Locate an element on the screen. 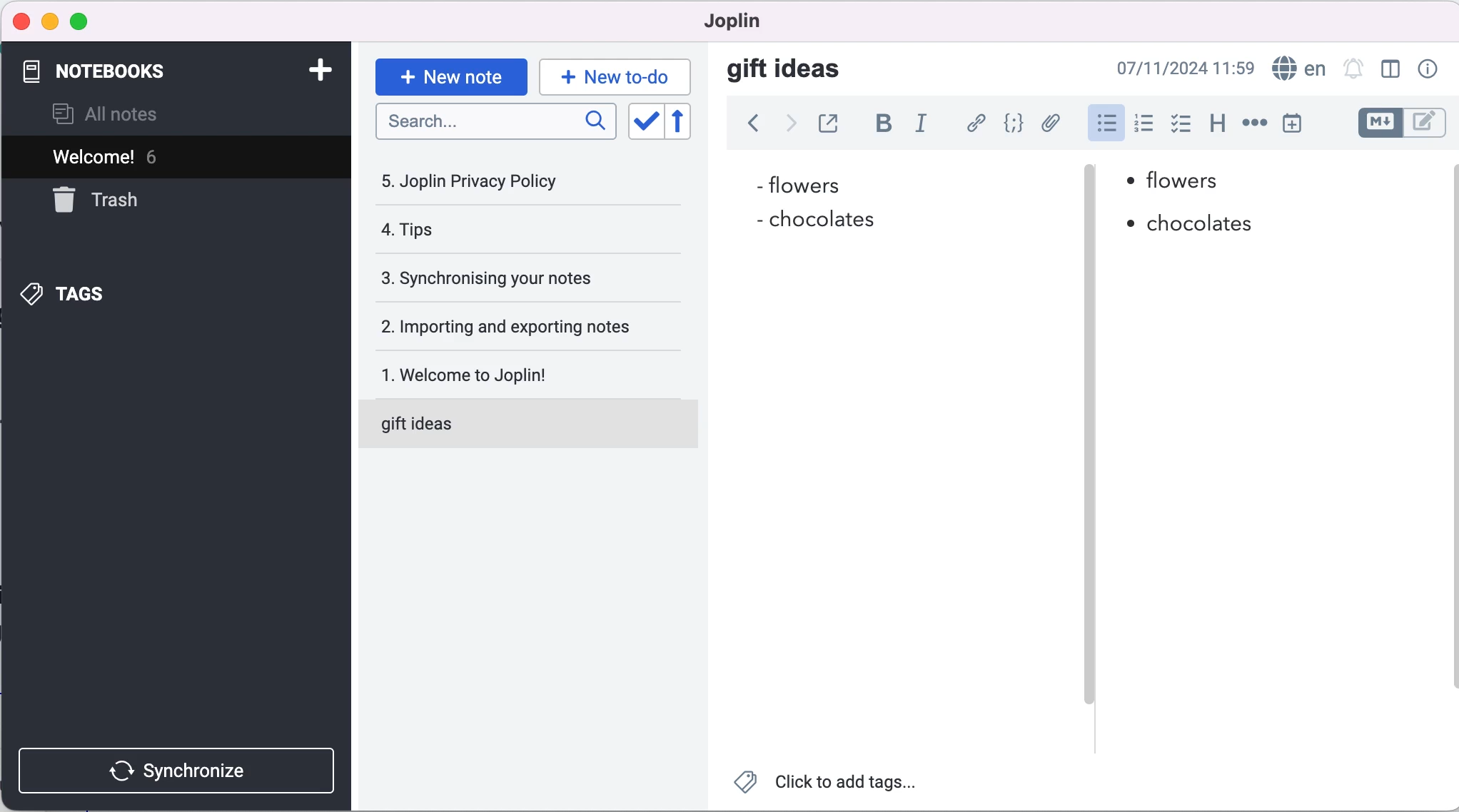 The image size is (1459, 812). search bar is located at coordinates (493, 123).